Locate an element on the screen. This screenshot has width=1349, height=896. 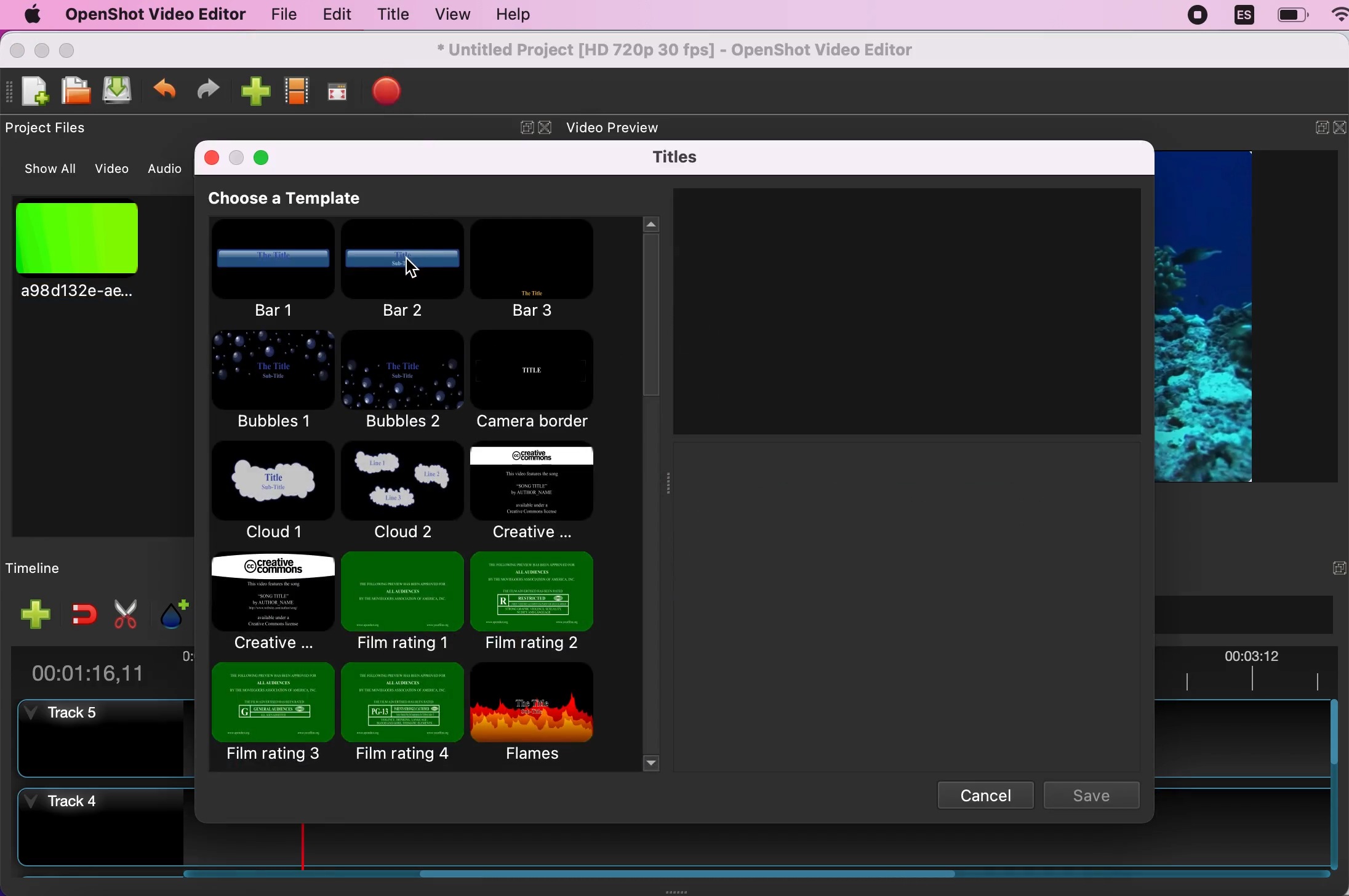
scroll bar is located at coordinates (572, 879).